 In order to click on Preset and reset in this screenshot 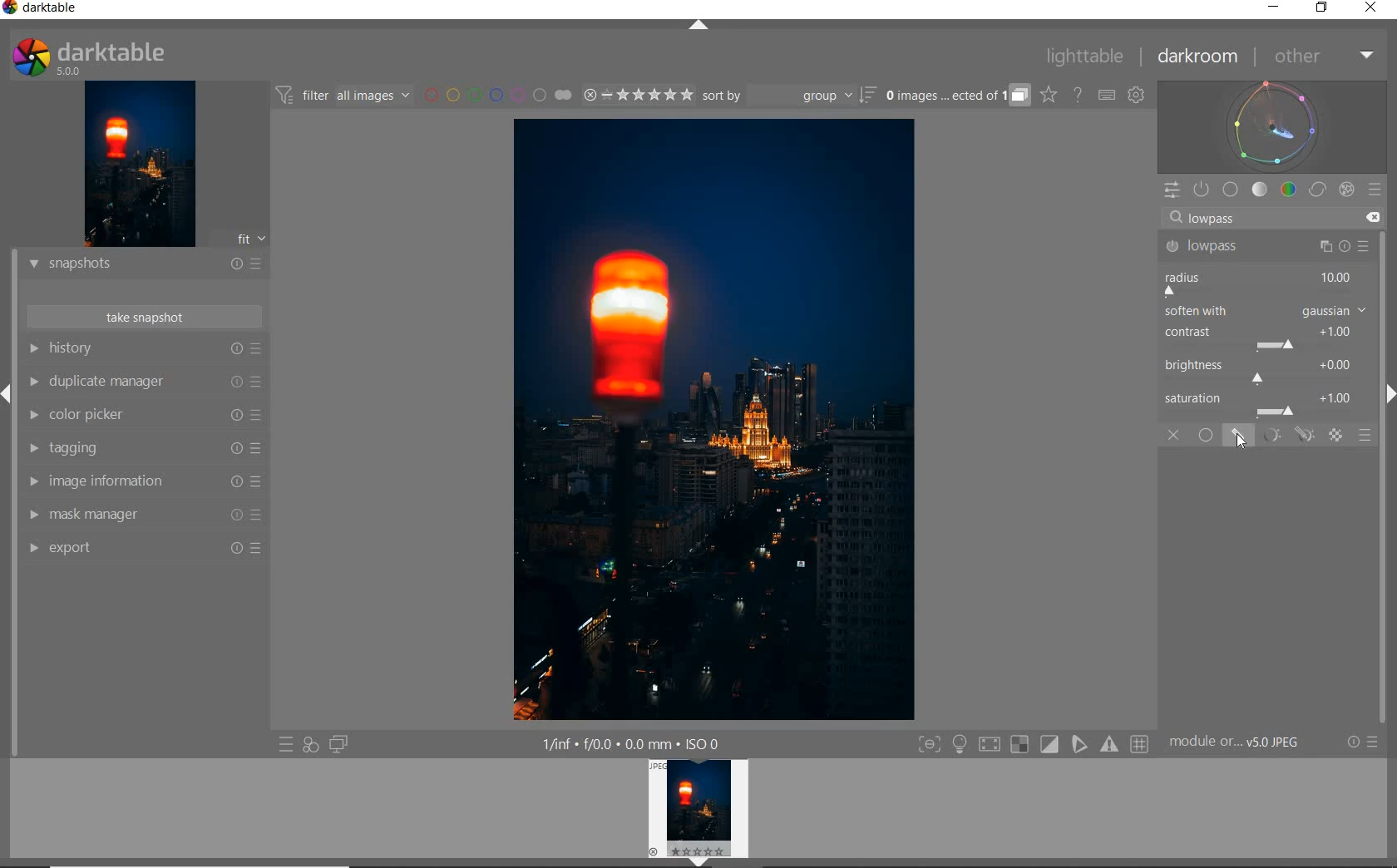, I will do `click(260, 417)`.